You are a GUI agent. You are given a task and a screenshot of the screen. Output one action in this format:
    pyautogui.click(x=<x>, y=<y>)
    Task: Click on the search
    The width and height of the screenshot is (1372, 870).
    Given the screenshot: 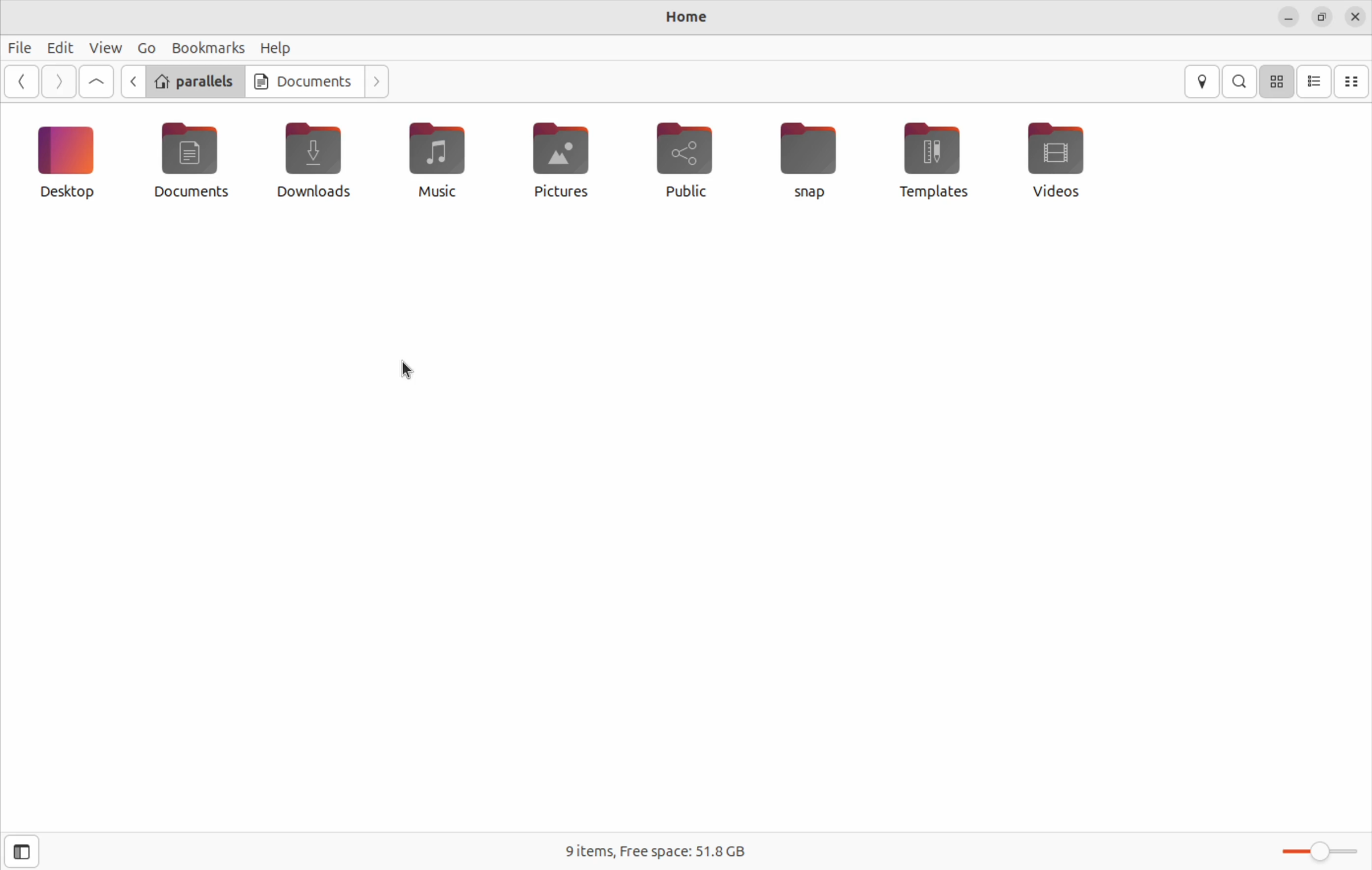 What is the action you would take?
    pyautogui.click(x=1242, y=81)
    